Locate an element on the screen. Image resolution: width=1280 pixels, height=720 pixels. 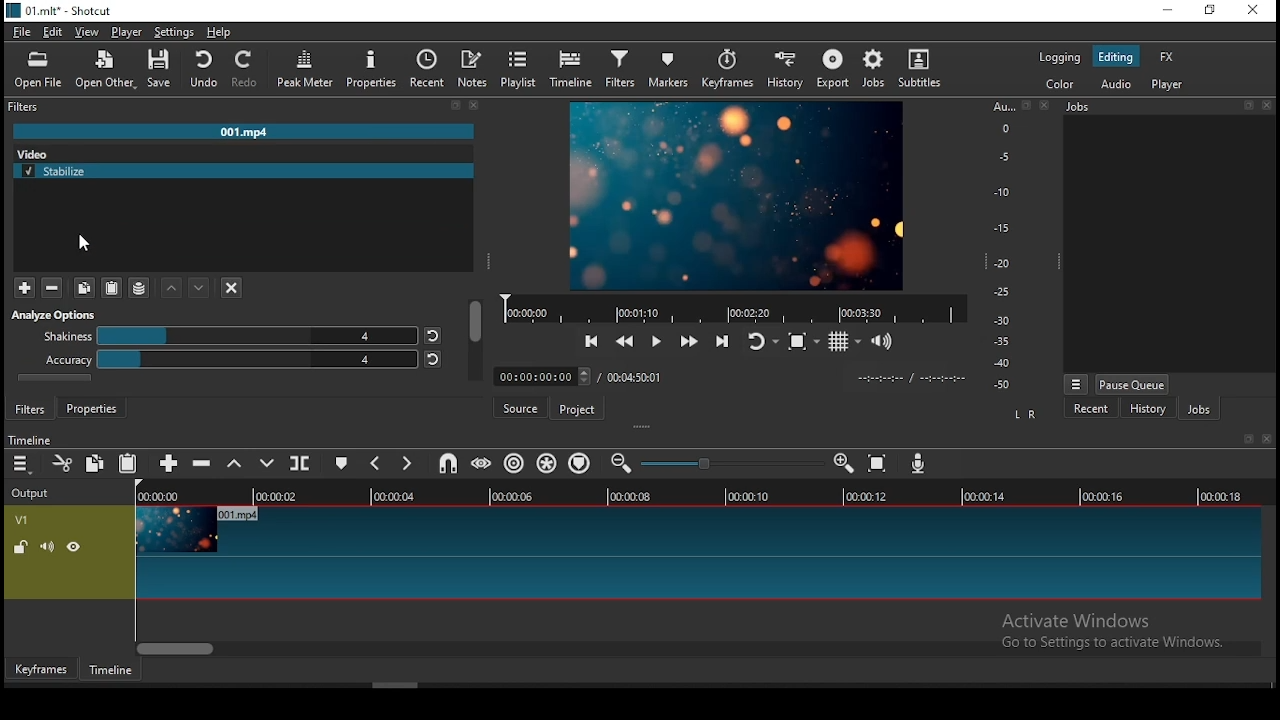
Open File is located at coordinates (35, 73).